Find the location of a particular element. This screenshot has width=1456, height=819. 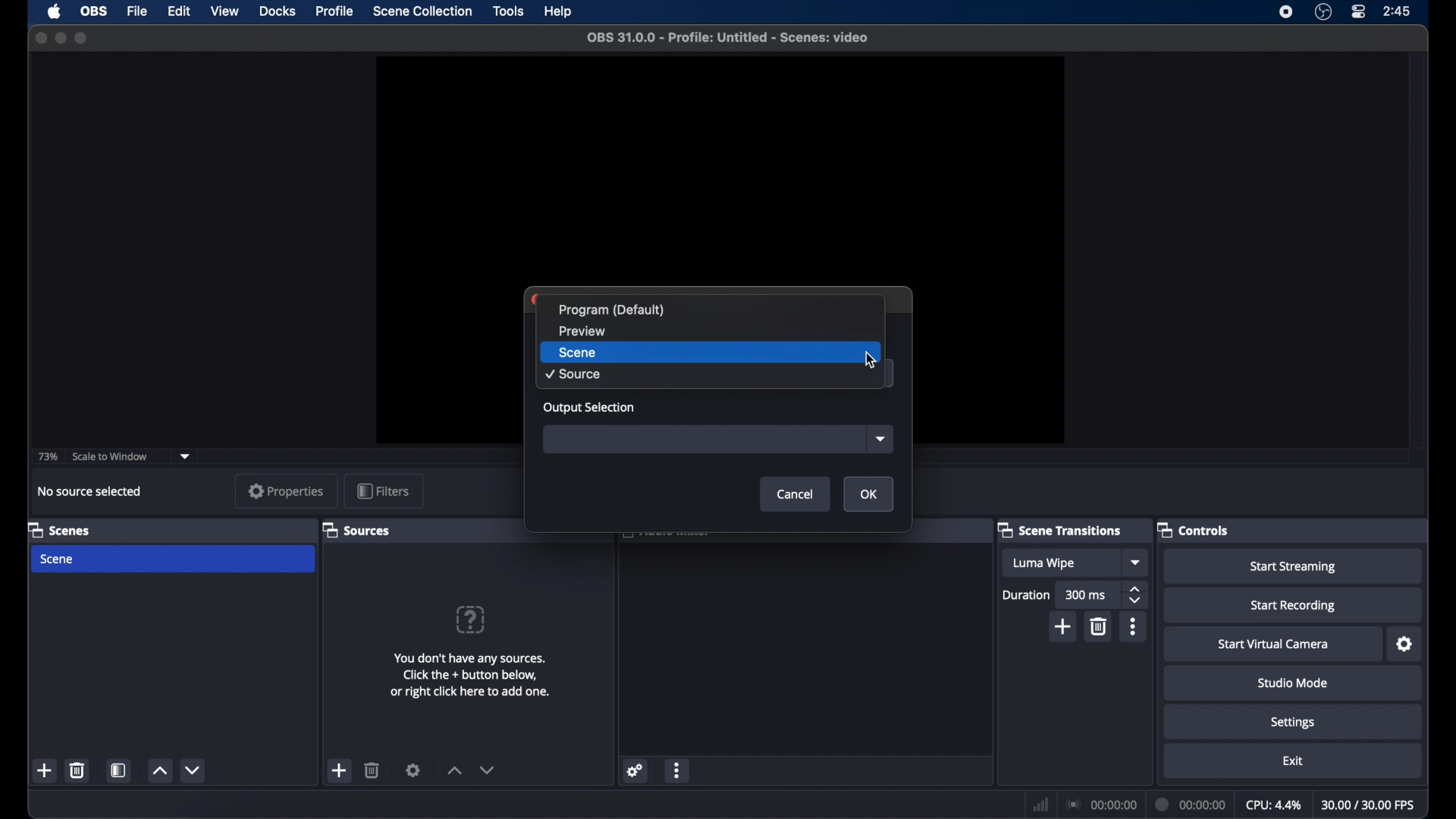

increment is located at coordinates (158, 771).